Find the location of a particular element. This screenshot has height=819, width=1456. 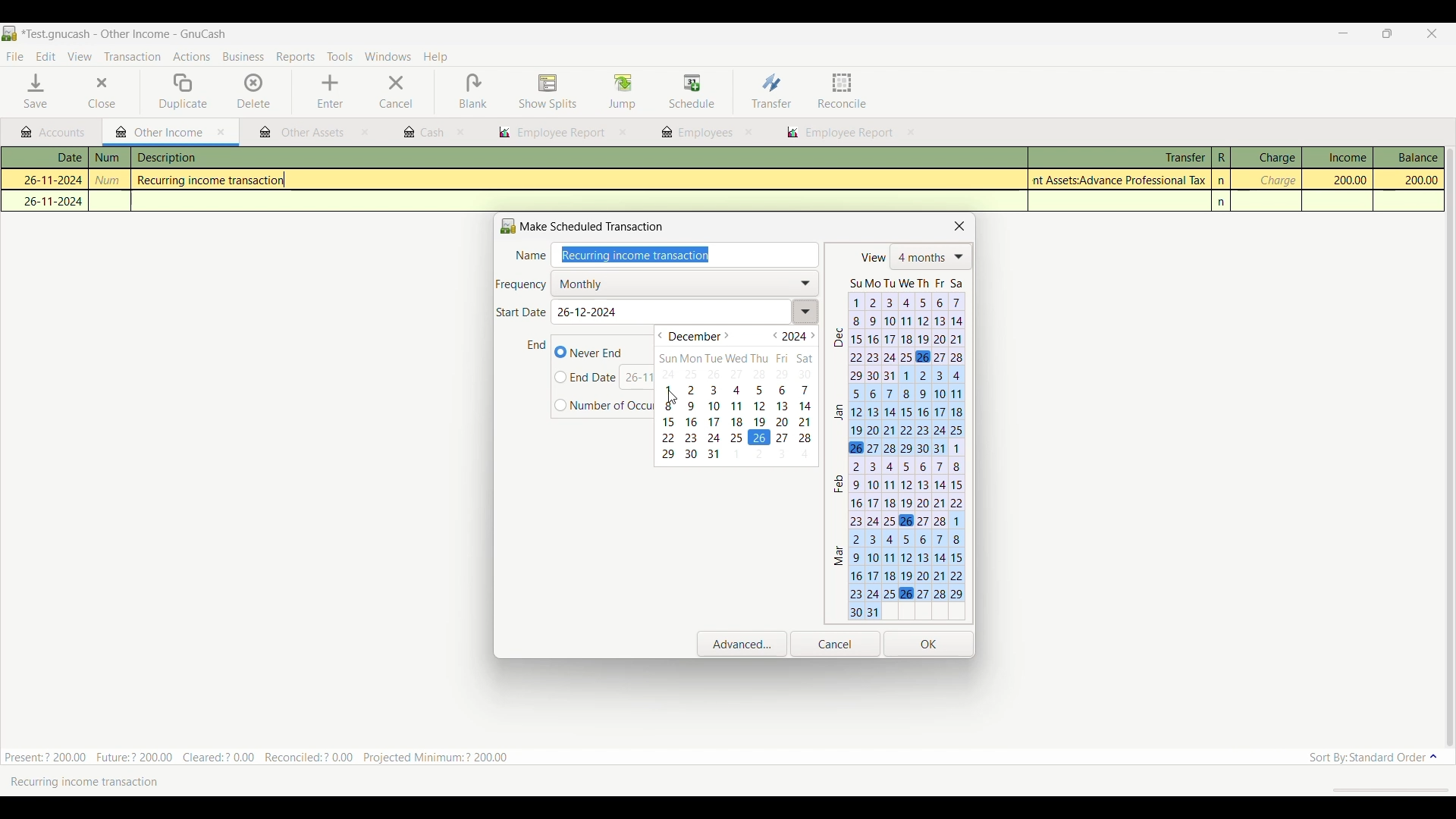

Enter is located at coordinates (330, 92).